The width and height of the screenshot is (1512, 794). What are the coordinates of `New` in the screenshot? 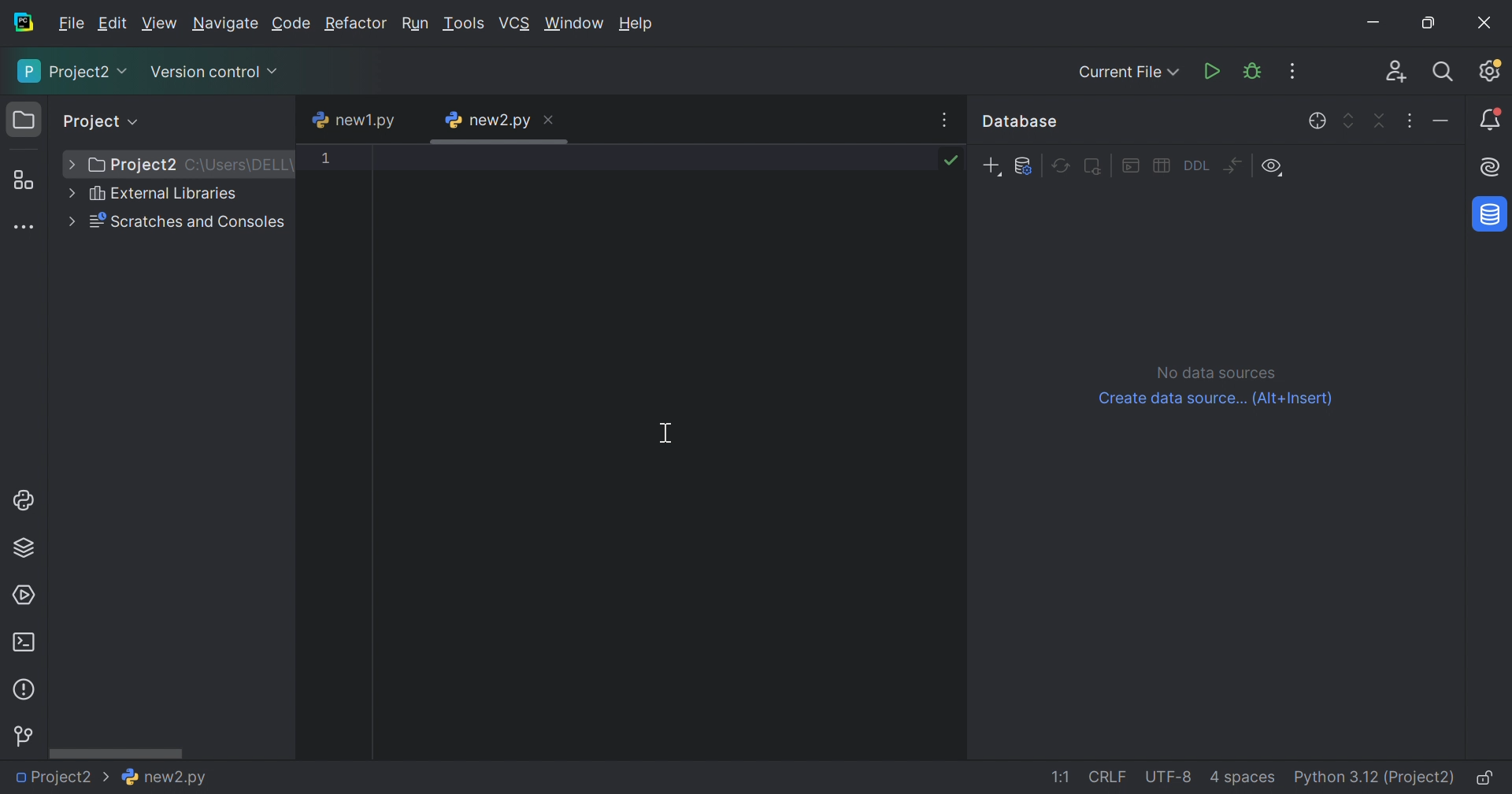 It's located at (991, 165).